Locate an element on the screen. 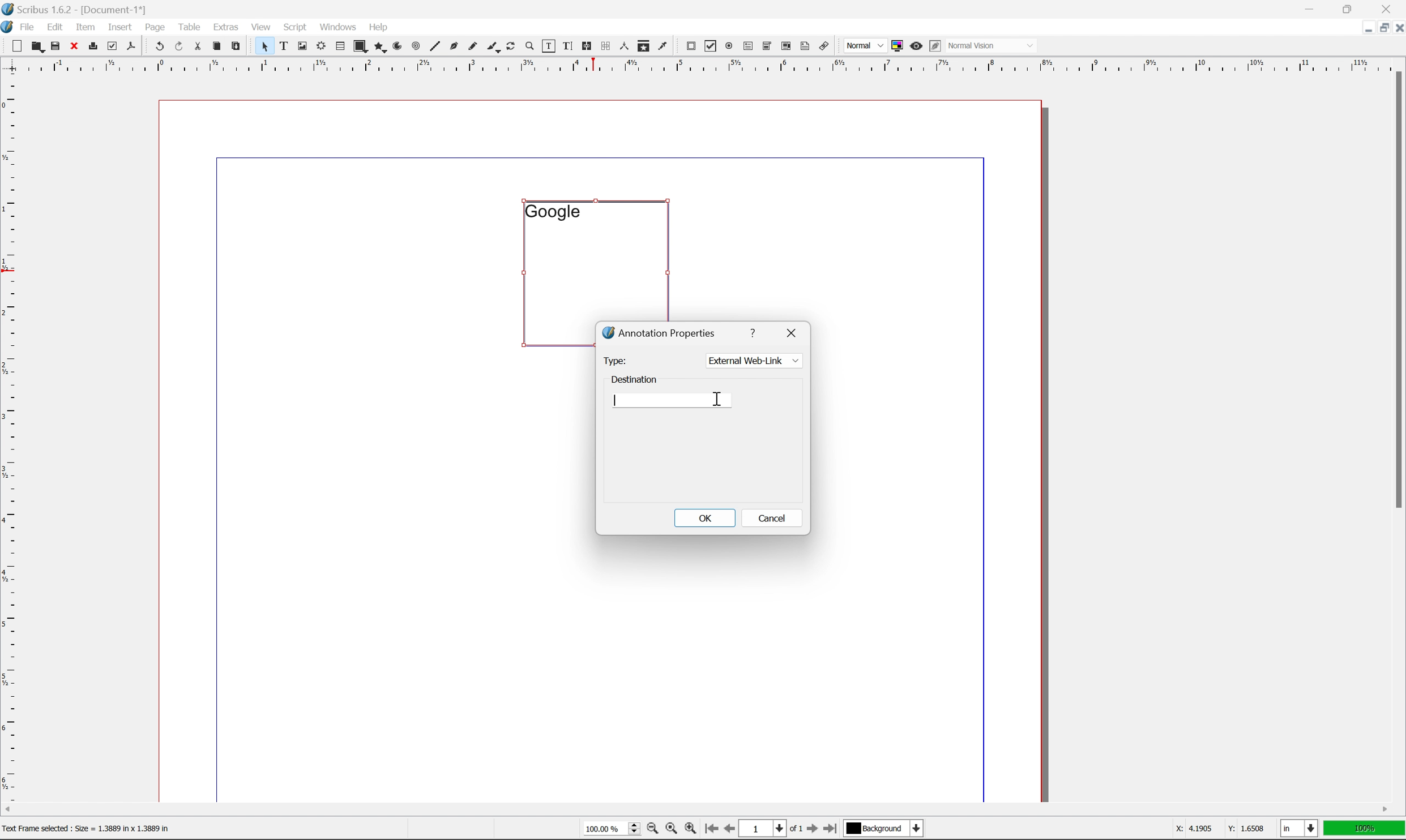 Image resolution: width=1406 pixels, height=840 pixels. spiral is located at coordinates (416, 45).